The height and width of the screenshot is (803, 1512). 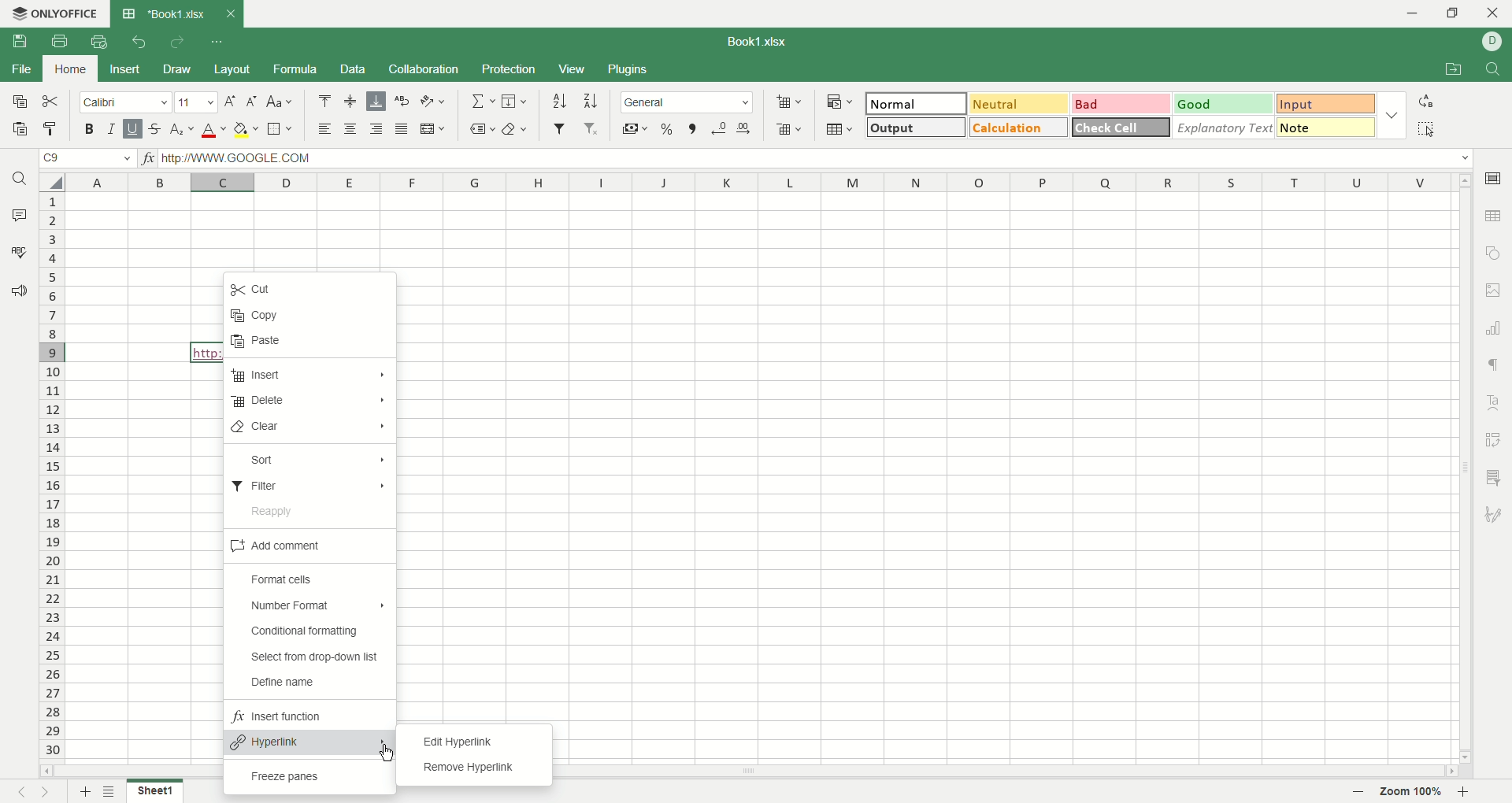 I want to click on view, so click(x=570, y=70).